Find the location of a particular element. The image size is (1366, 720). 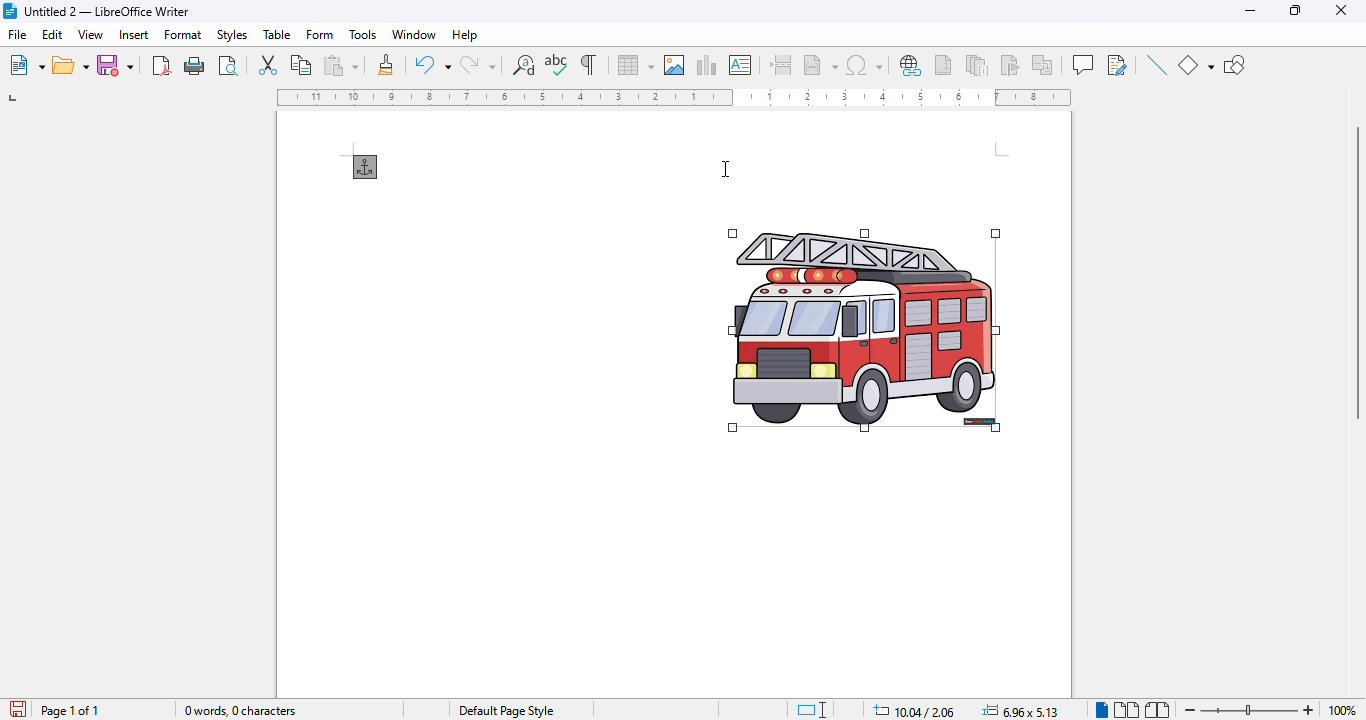

insert endnote is located at coordinates (978, 64).